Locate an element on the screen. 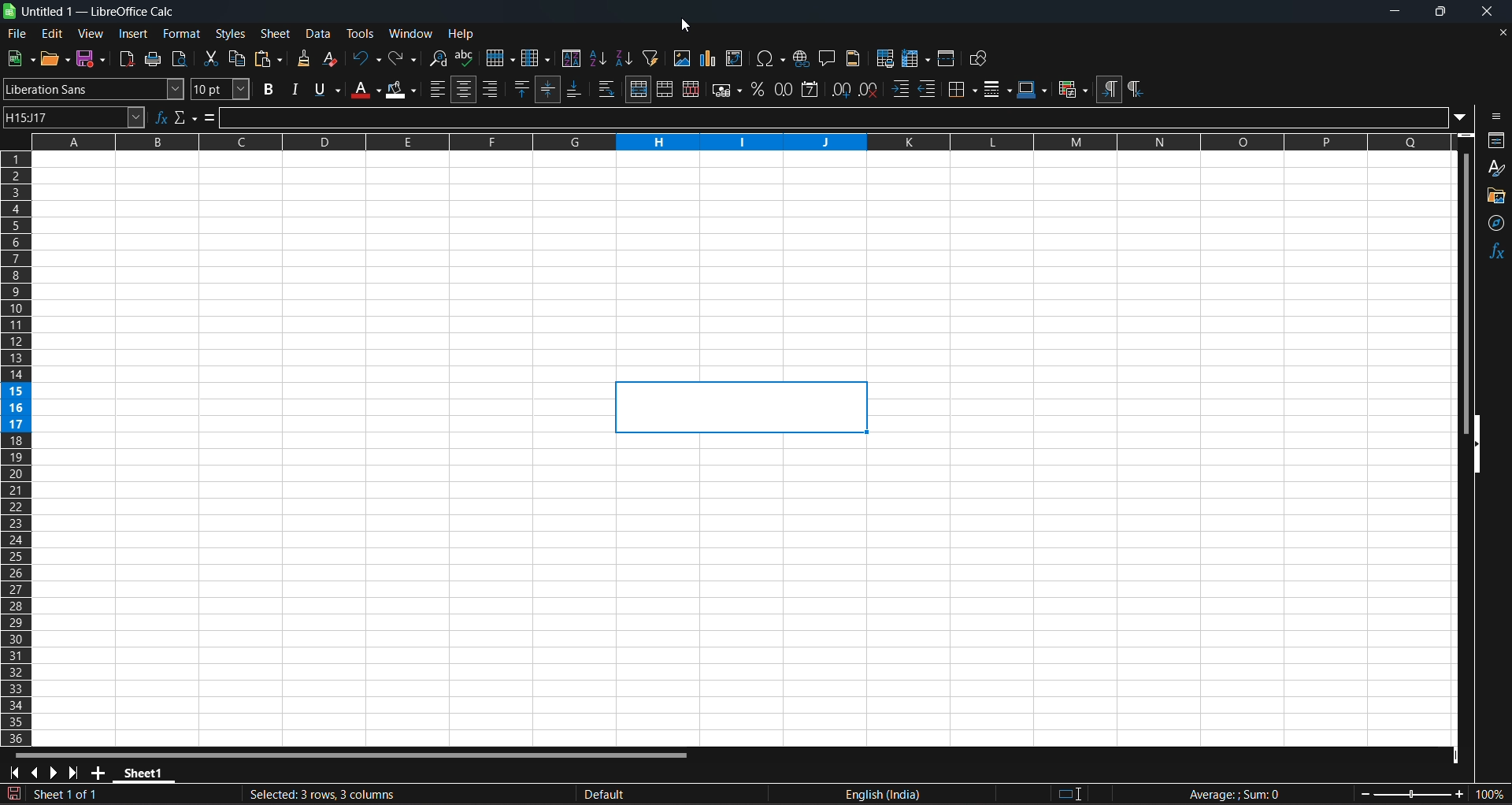 The image size is (1512, 805). vertical scroll bar is located at coordinates (1466, 296).